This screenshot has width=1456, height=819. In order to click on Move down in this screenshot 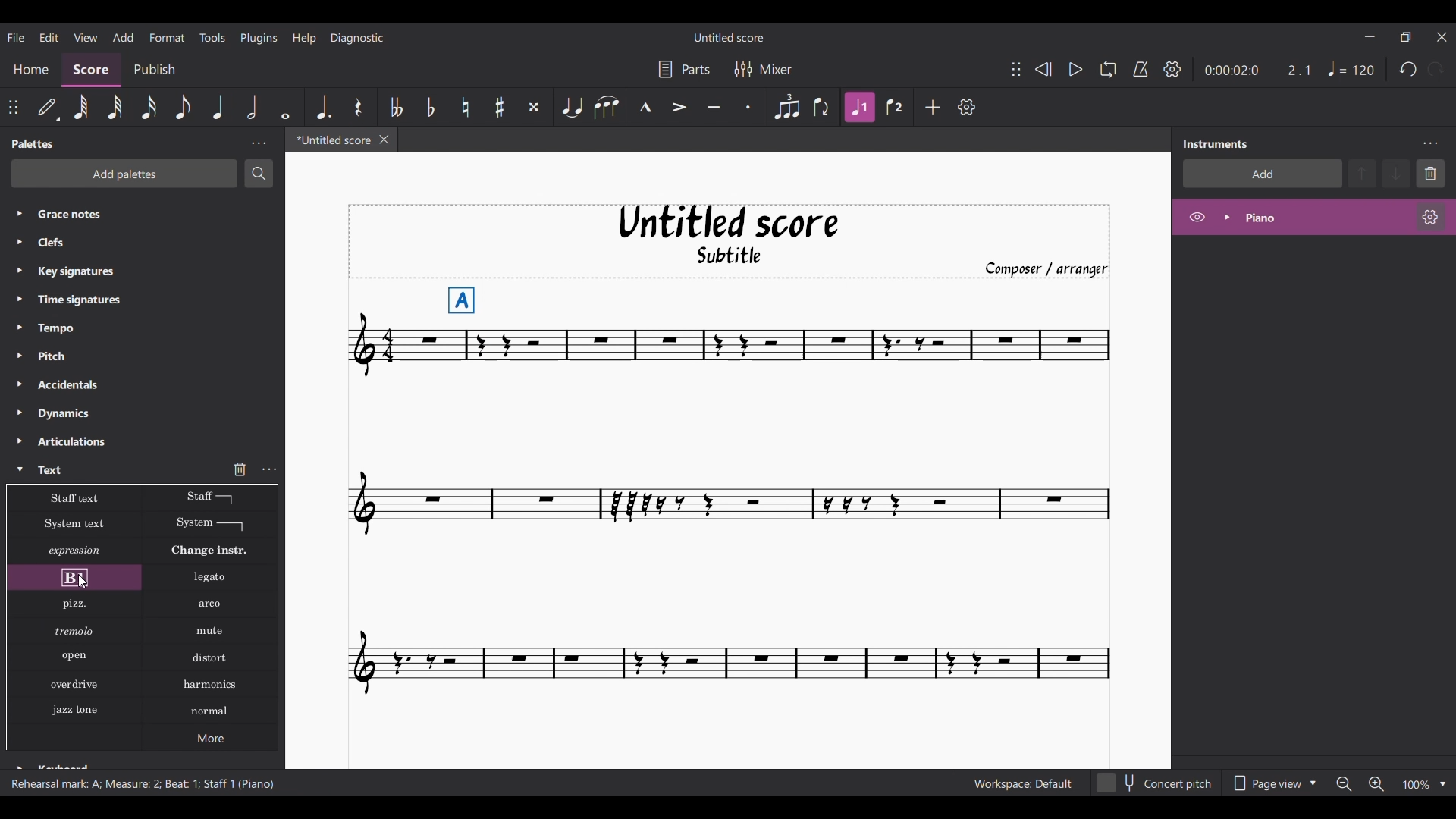, I will do `click(1396, 173)`.